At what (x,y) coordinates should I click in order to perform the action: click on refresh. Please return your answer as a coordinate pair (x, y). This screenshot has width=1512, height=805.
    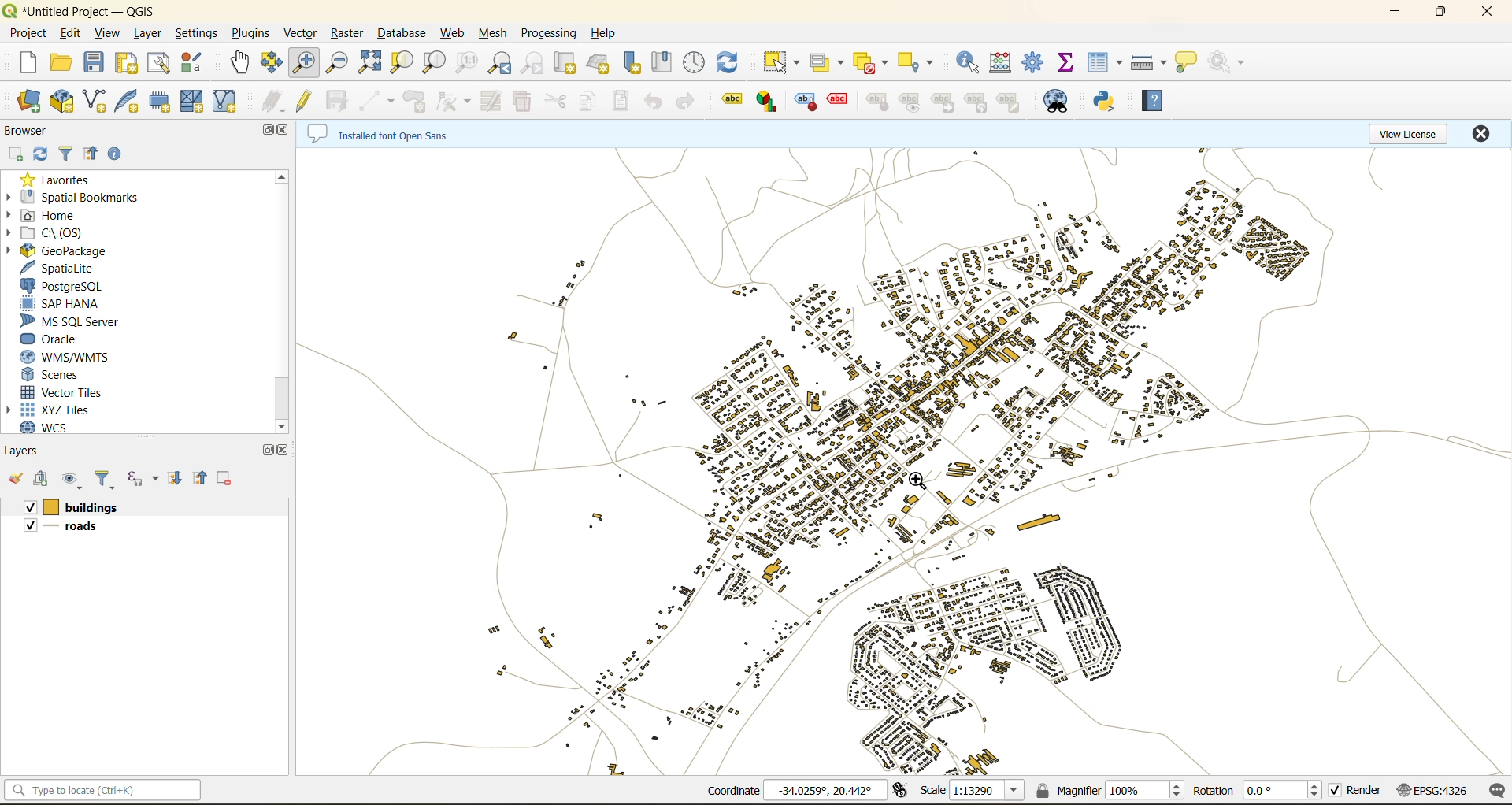
    Looking at the image, I should click on (41, 154).